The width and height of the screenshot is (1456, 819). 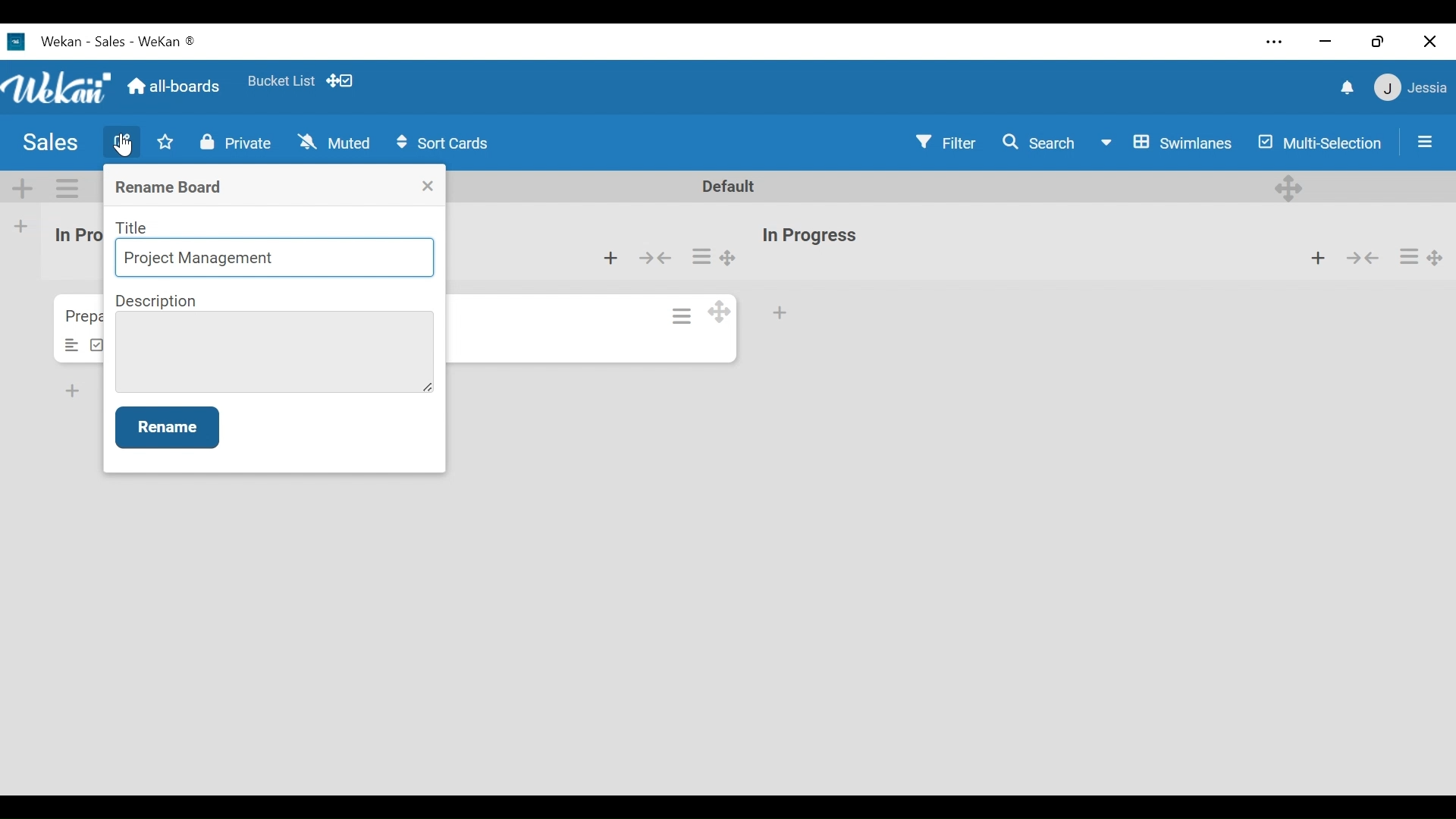 I want to click on Muted, so click(x=335, y=143).